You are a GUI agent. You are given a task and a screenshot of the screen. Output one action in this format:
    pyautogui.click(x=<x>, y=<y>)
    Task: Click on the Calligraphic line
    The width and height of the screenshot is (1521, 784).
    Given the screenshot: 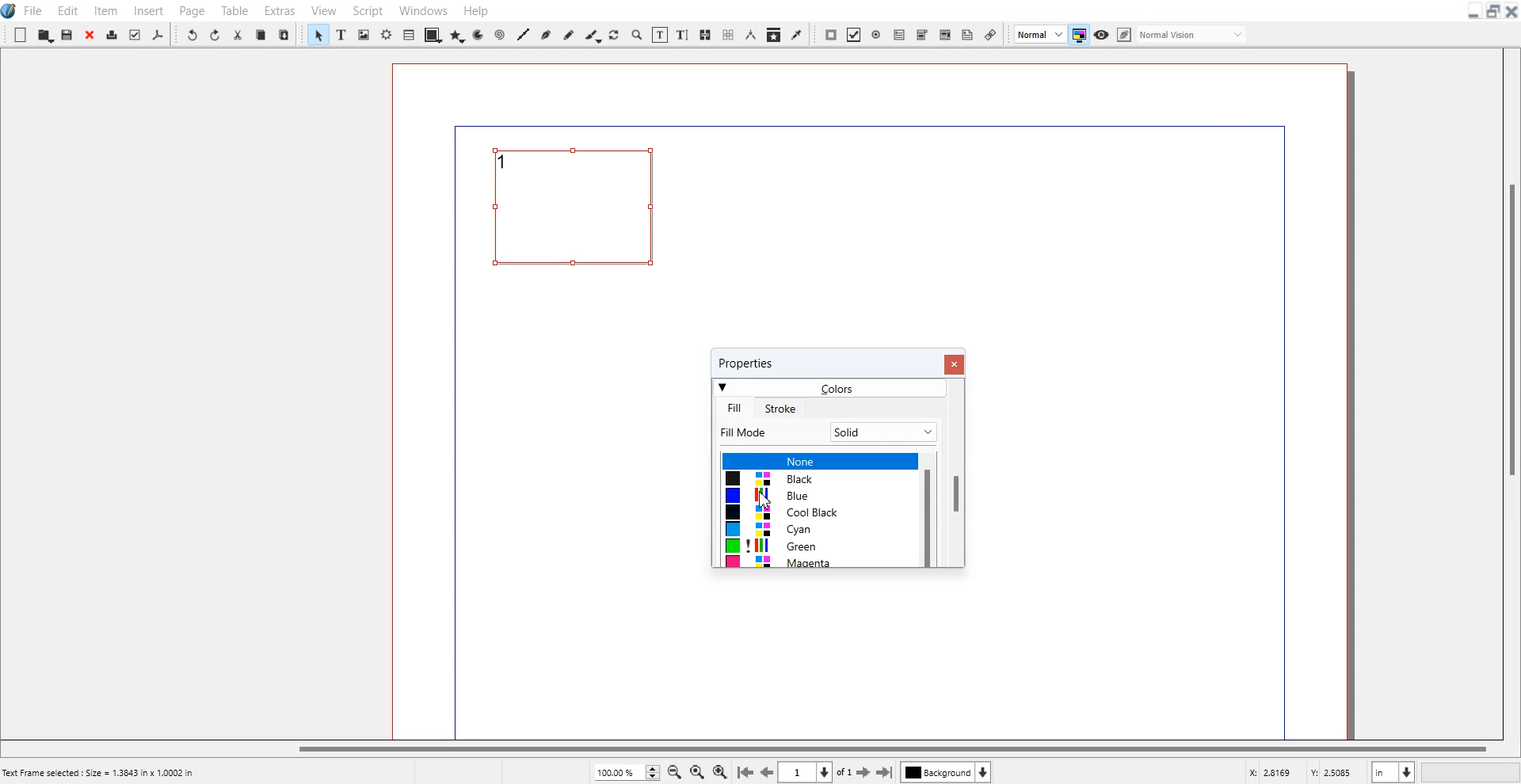 What is the action you would take?
    pyautogui.click(x=592, y=35)
    